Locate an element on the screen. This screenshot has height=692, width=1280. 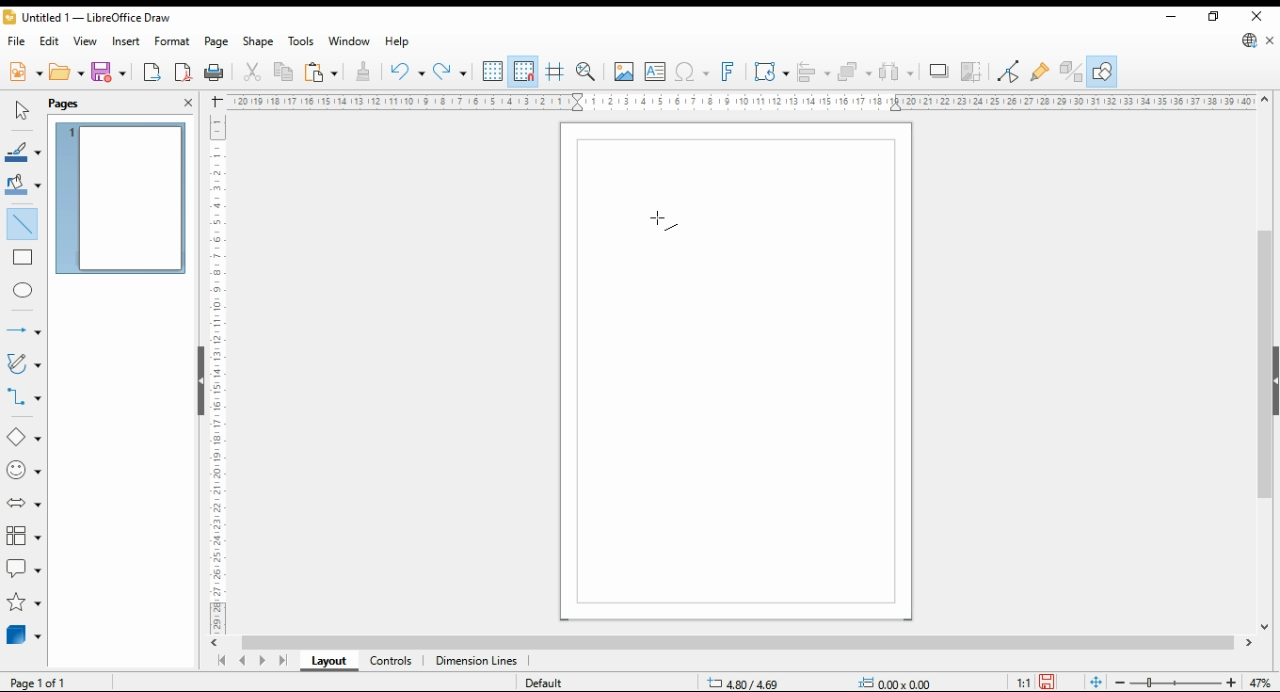
increase zoom is located at coordinates (1235, 683).